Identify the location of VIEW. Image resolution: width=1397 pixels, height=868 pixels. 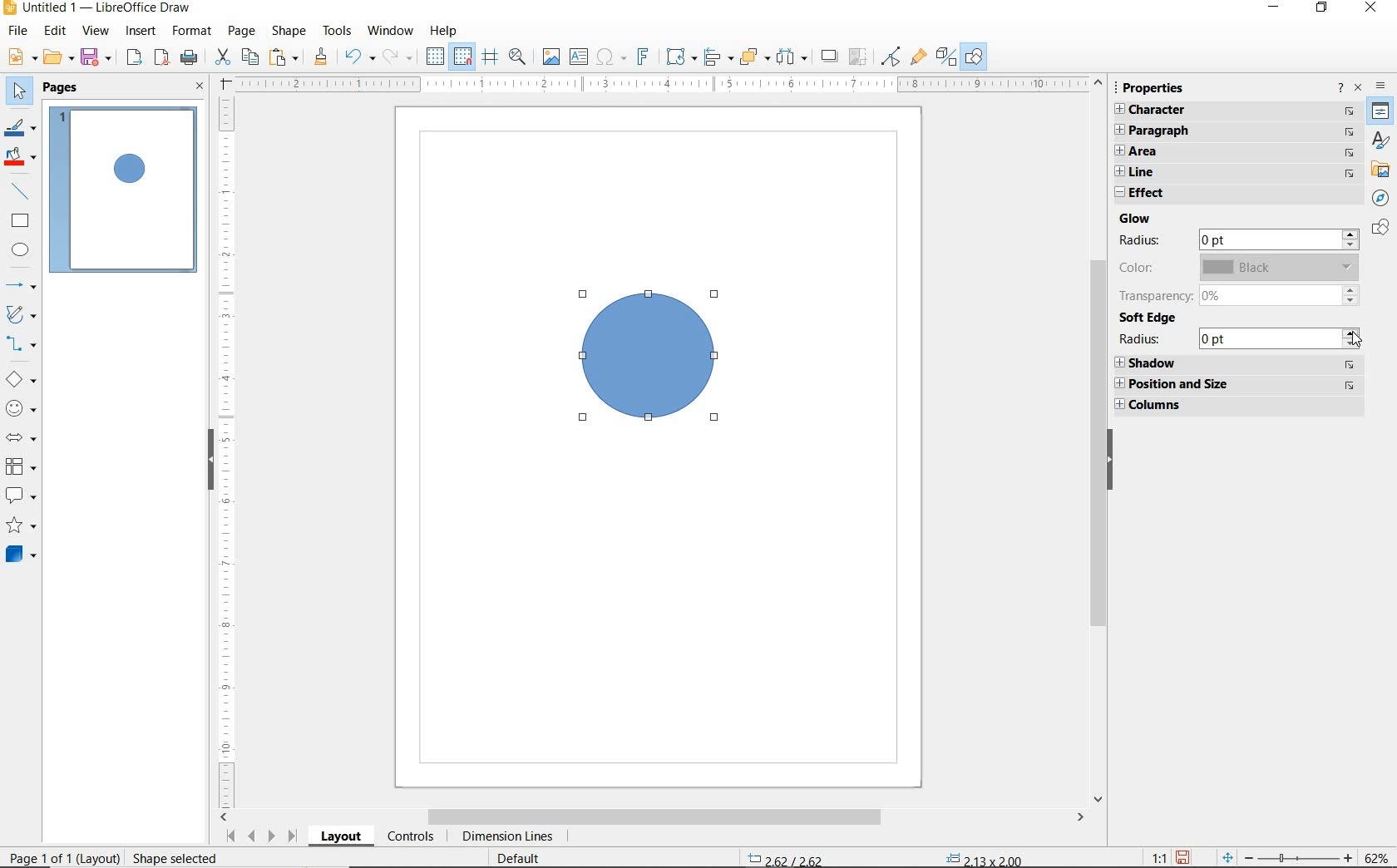
(95, 31).